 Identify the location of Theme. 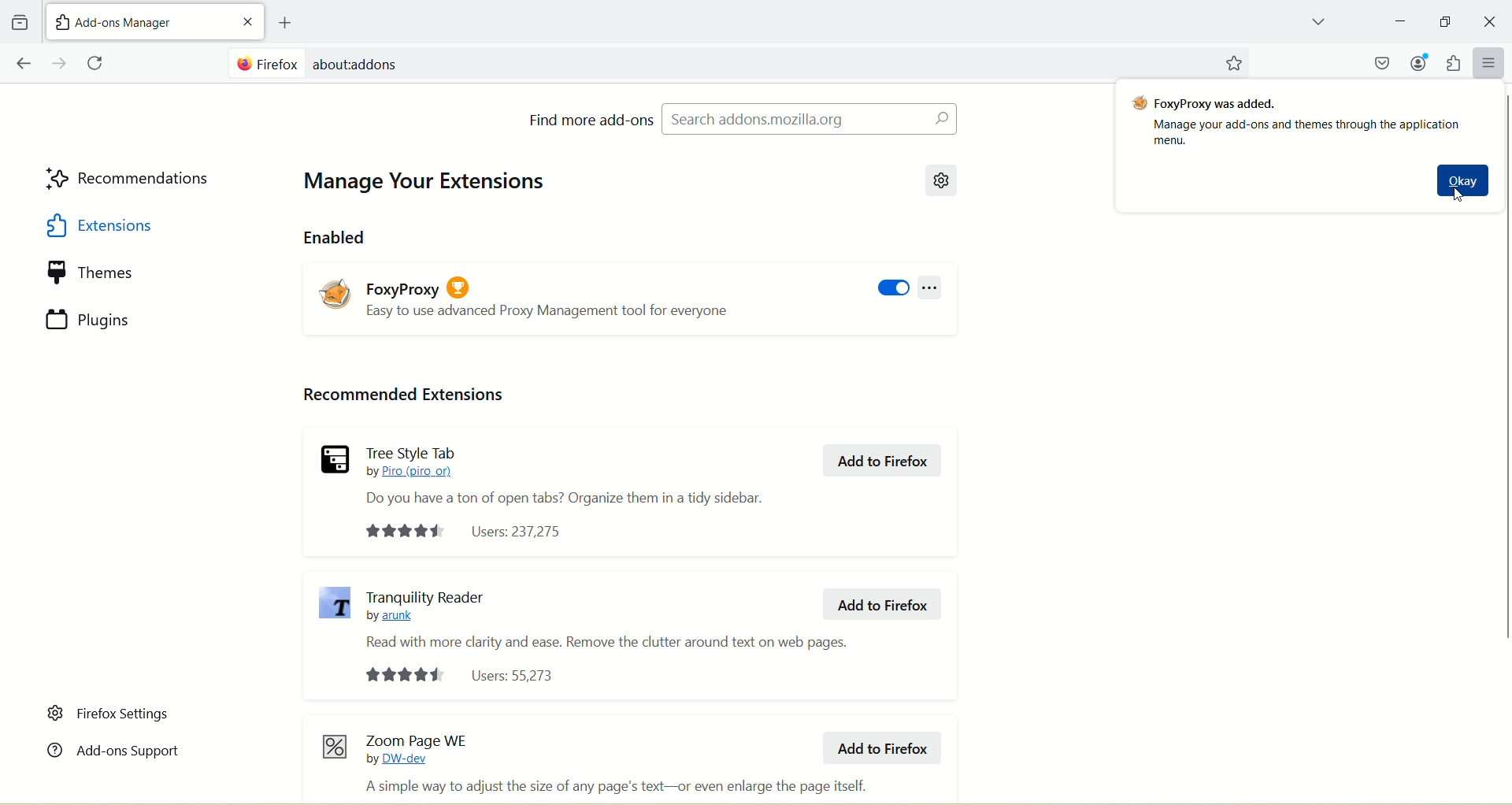
(133, 273).